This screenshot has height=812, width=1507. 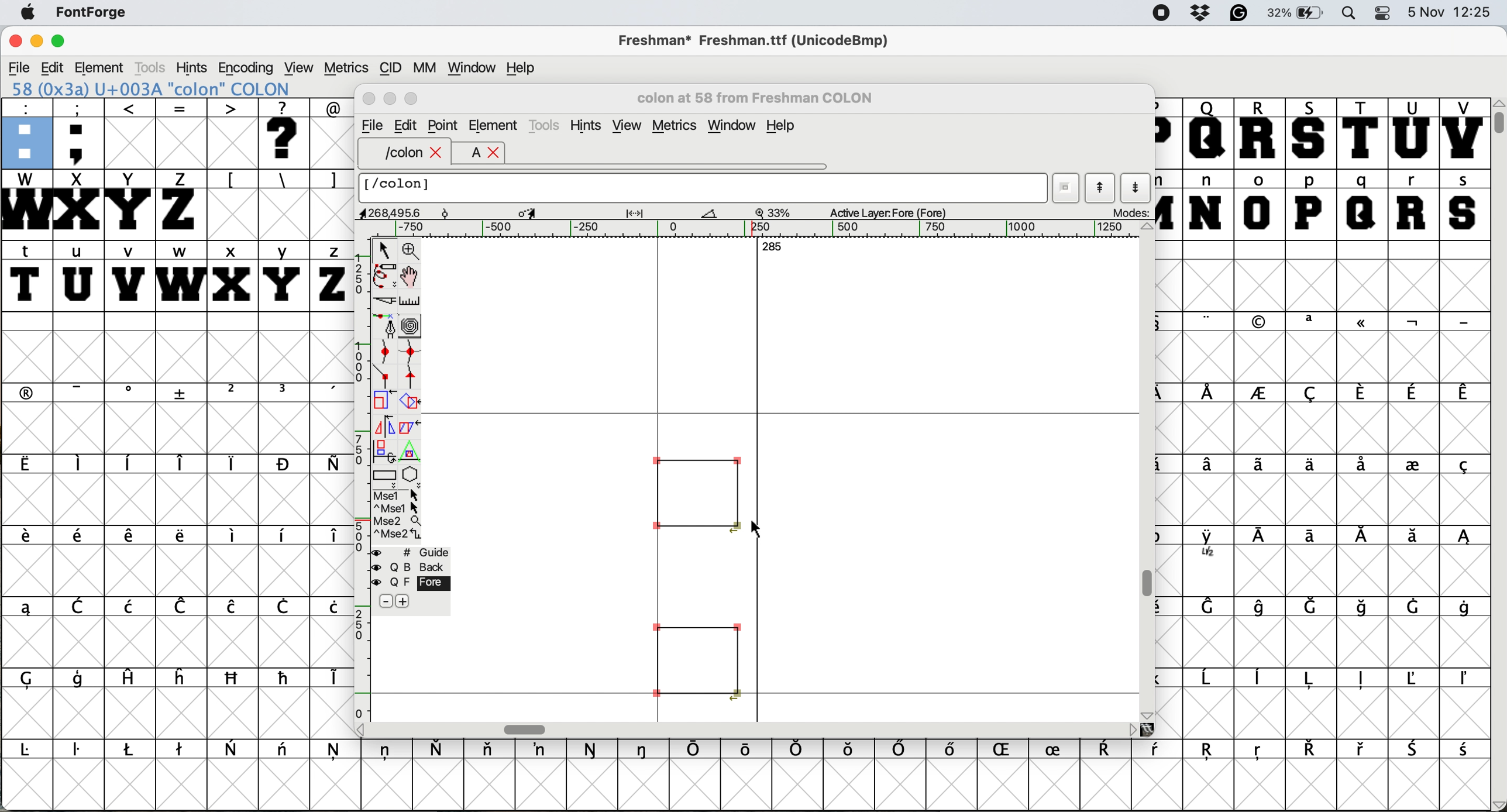 I want to click on help, so click(x=783, y=127).